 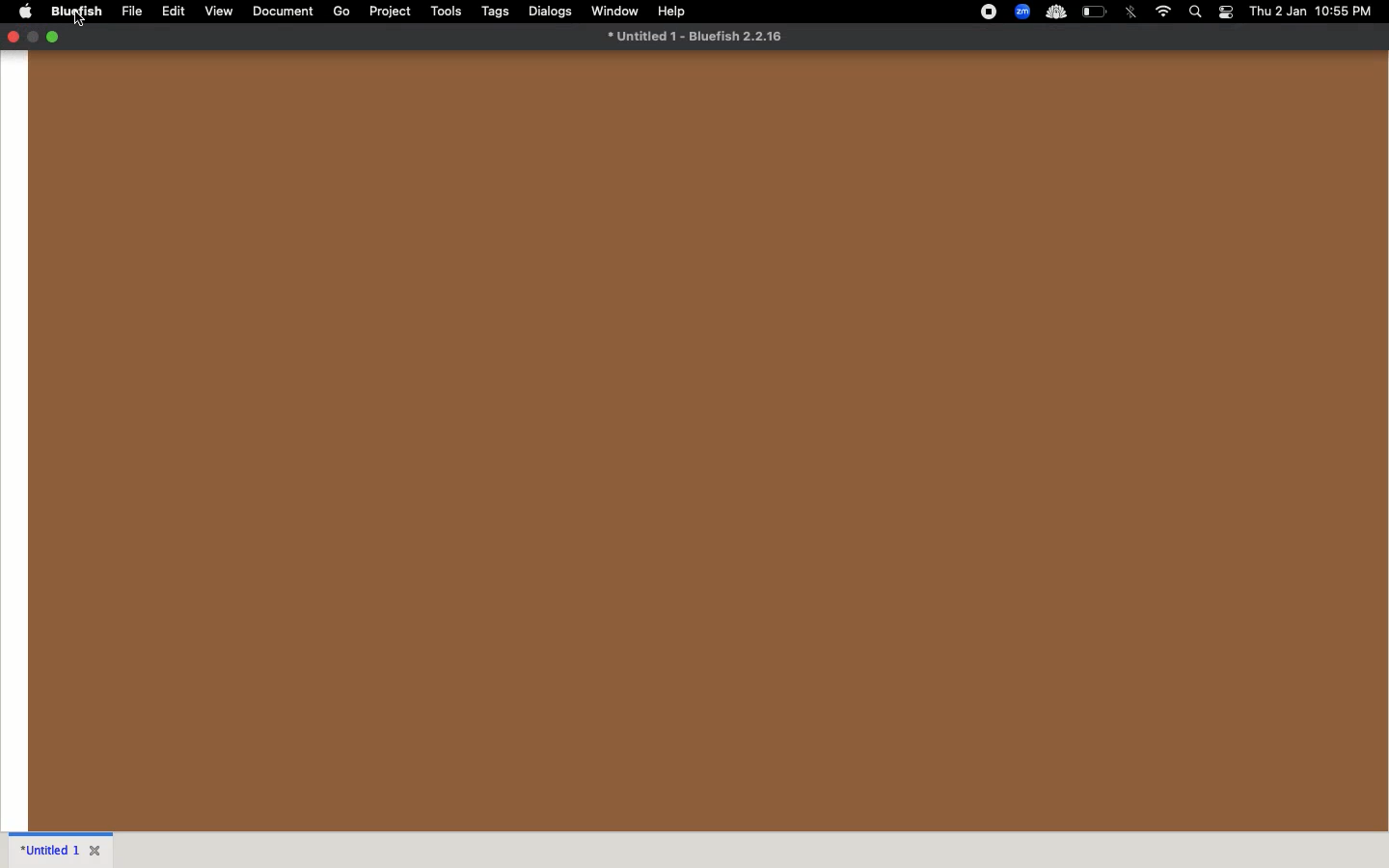 What do you see at coordinates (1163, 12) in the screenshot?
I see `internet` at bounding box center [1163, 12].